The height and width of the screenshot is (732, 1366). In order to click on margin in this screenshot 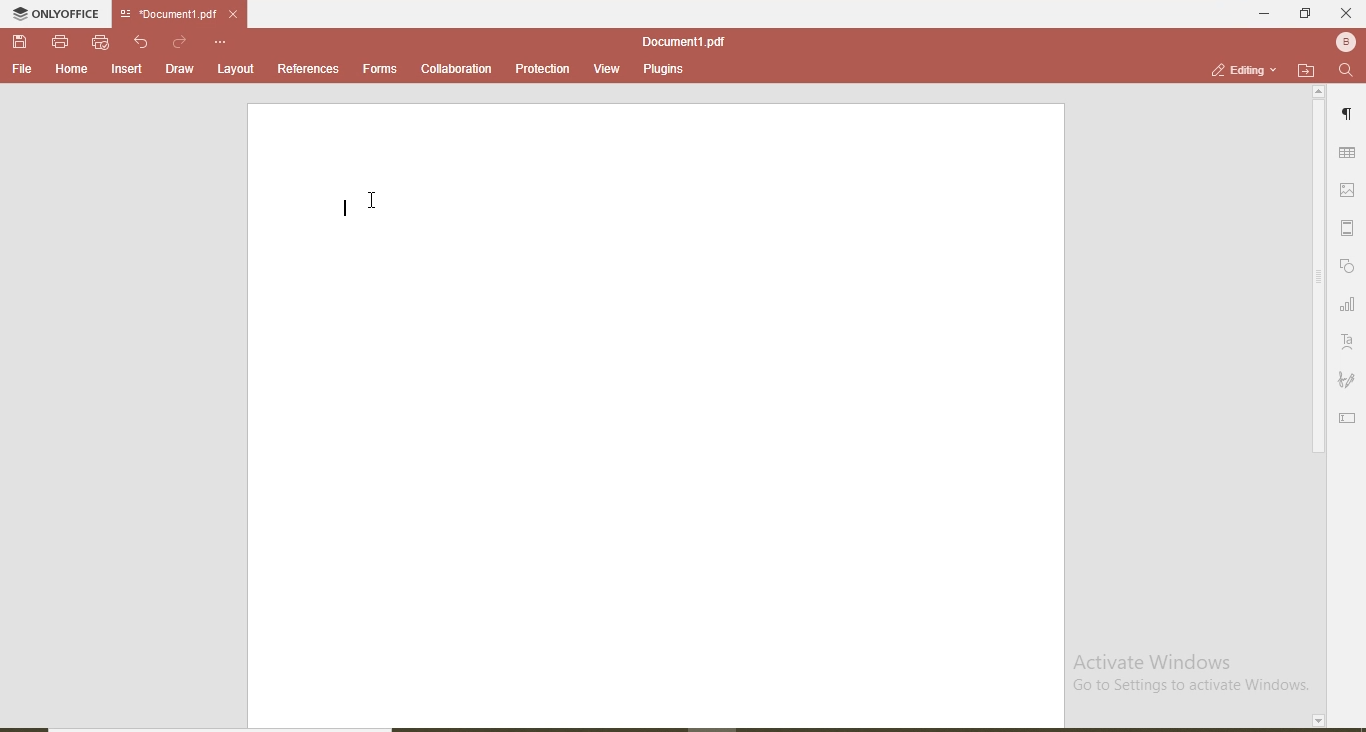, I will do `click(1351, 228)`.